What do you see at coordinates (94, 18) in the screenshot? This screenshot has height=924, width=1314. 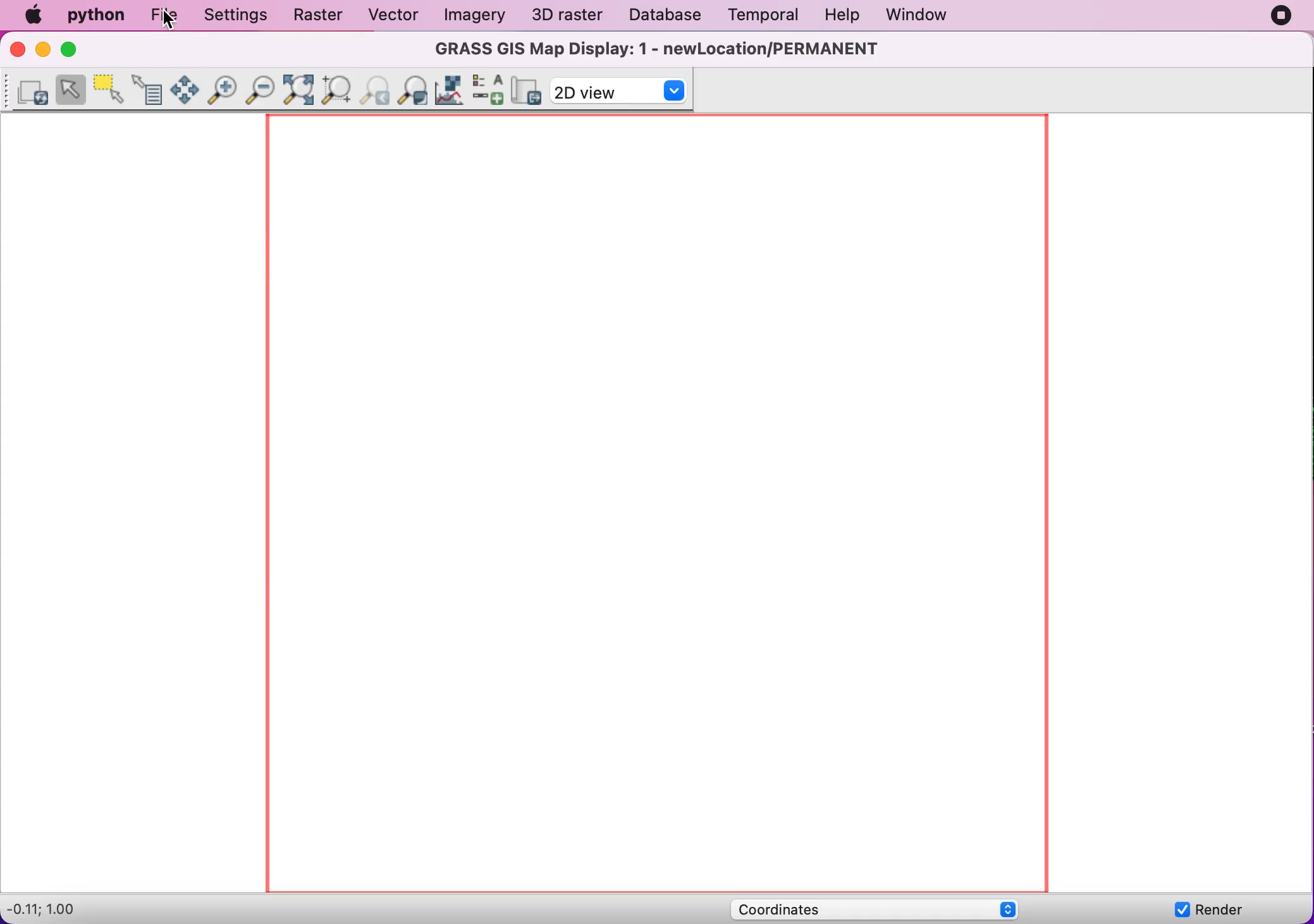 I see `python` at bounding box center [94, 18].